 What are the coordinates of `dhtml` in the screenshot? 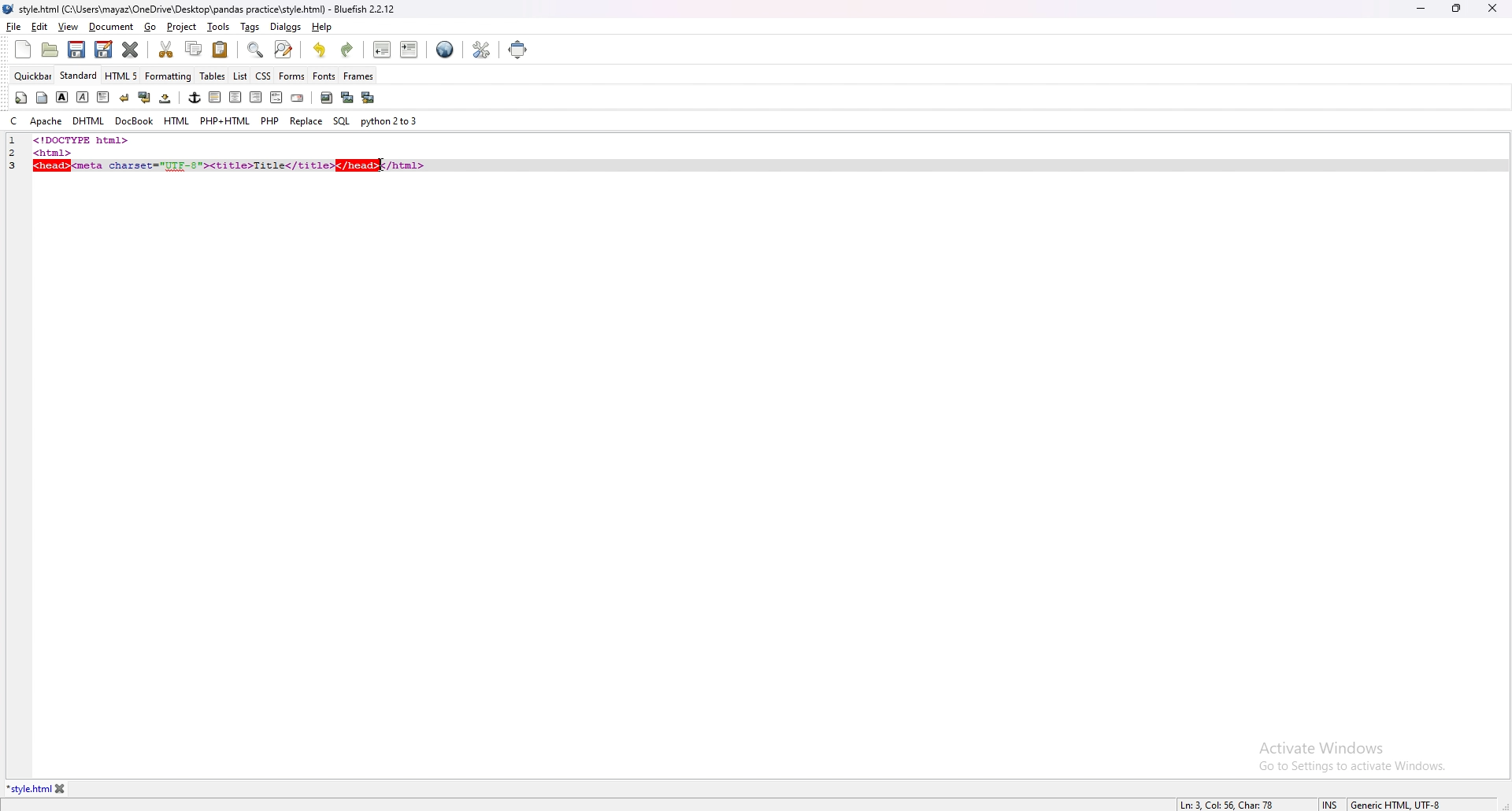 It's located at (88, 122).